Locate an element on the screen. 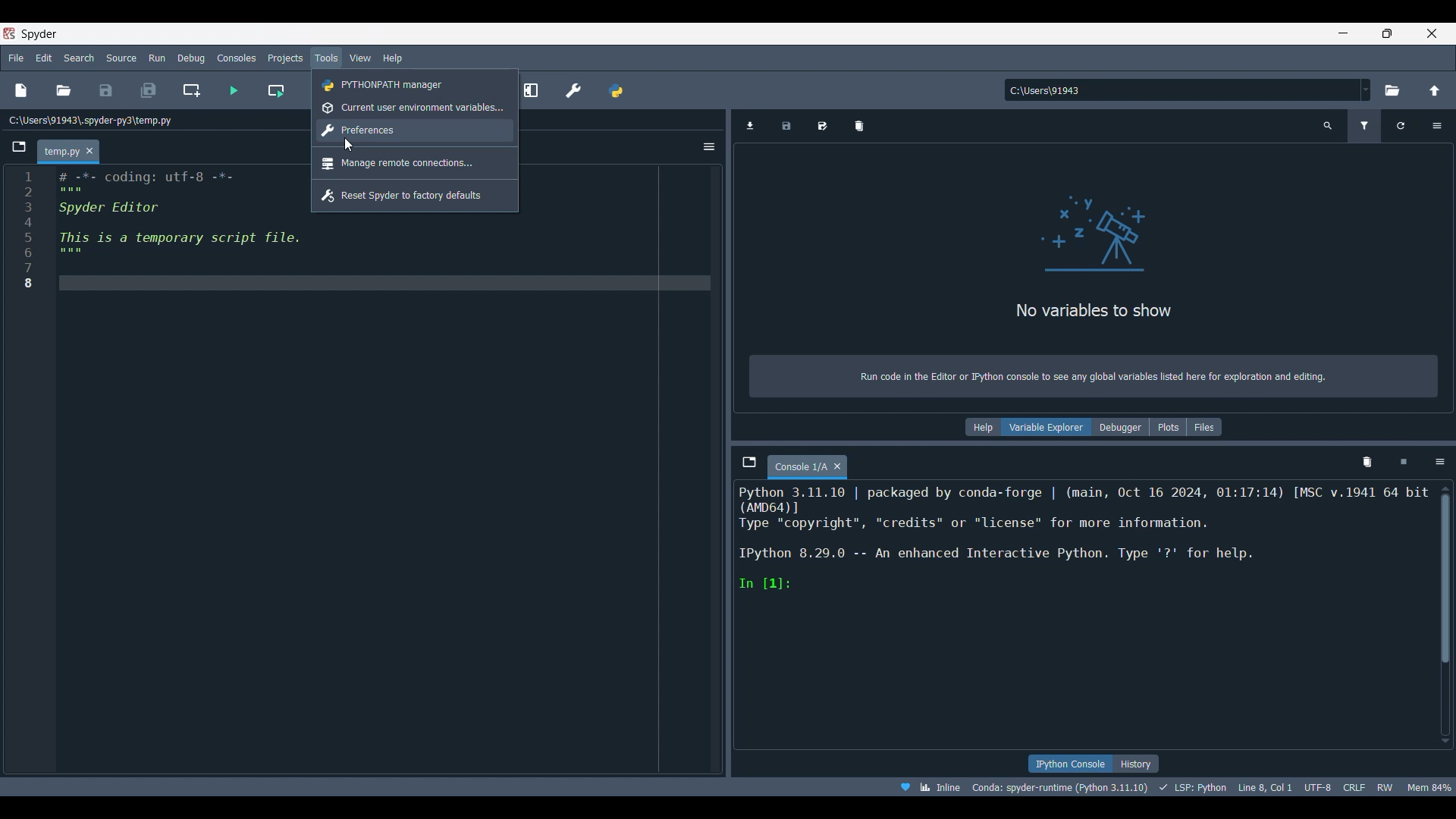 The image size is (1456, 819). Options is located at coordinates (1439, 462).